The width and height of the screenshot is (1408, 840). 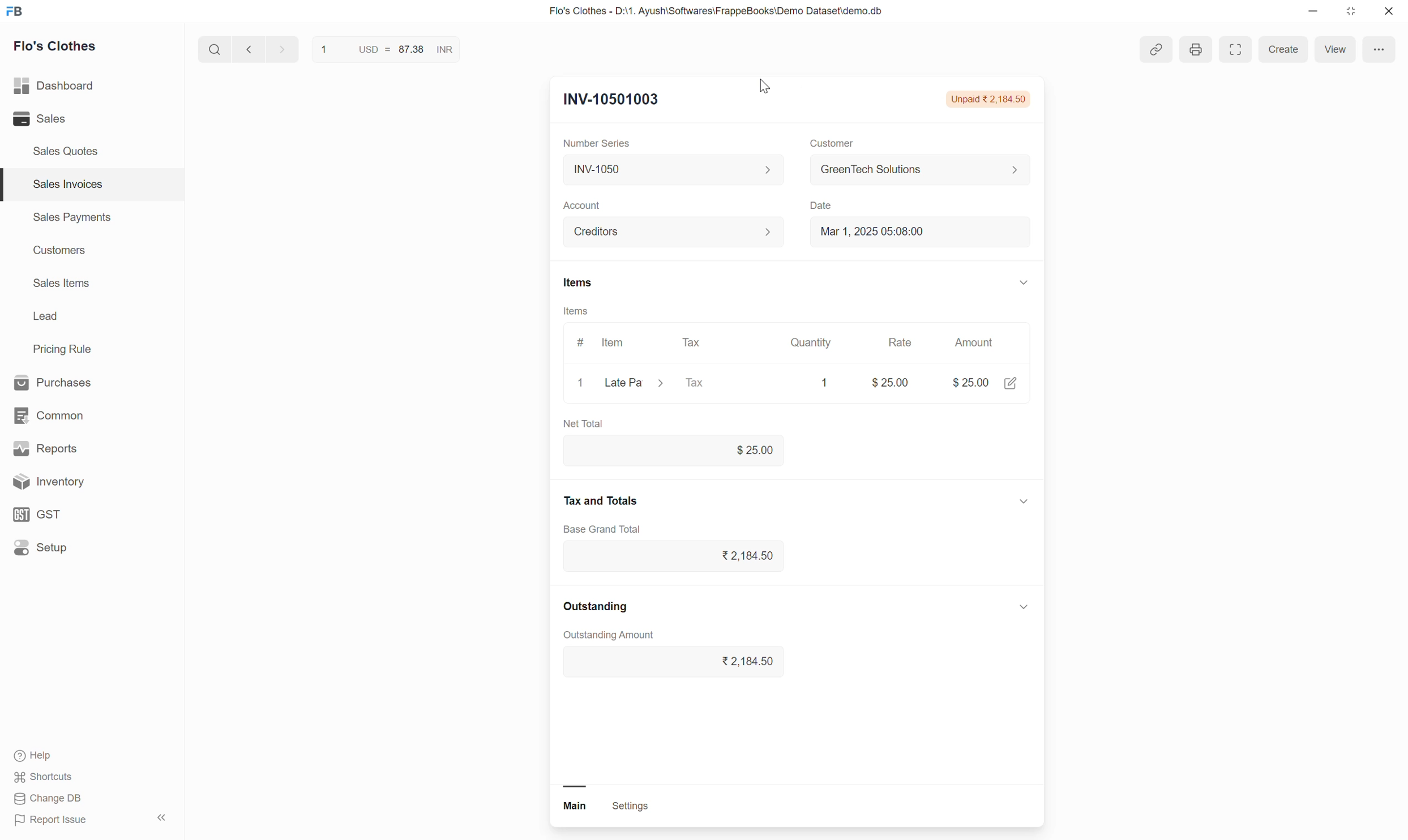 What do you see at coordinates (965, 382) in the screenshot?
I see `amount ` at bounding box center [965, 382].